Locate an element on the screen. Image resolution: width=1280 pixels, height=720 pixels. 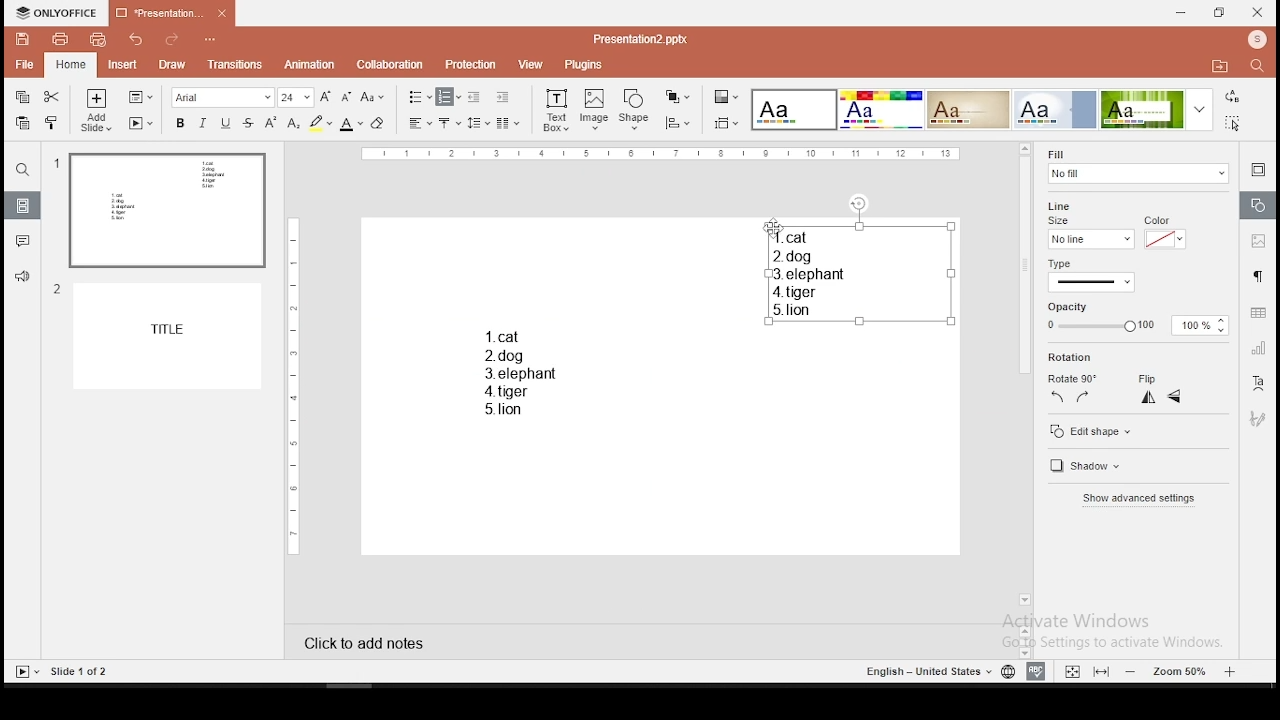
table settings is located at coordinates (1256, 313).